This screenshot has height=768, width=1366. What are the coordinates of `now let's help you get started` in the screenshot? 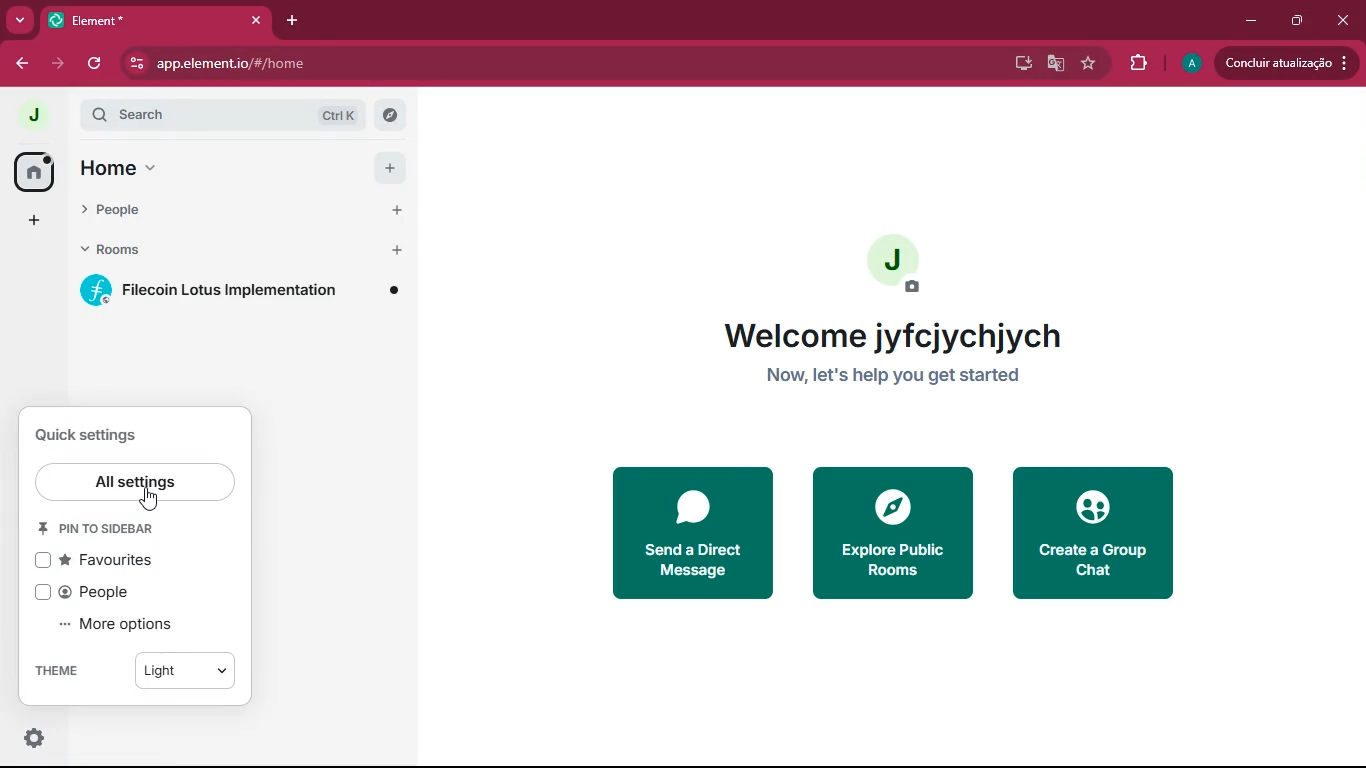 It's located at (901, 377).